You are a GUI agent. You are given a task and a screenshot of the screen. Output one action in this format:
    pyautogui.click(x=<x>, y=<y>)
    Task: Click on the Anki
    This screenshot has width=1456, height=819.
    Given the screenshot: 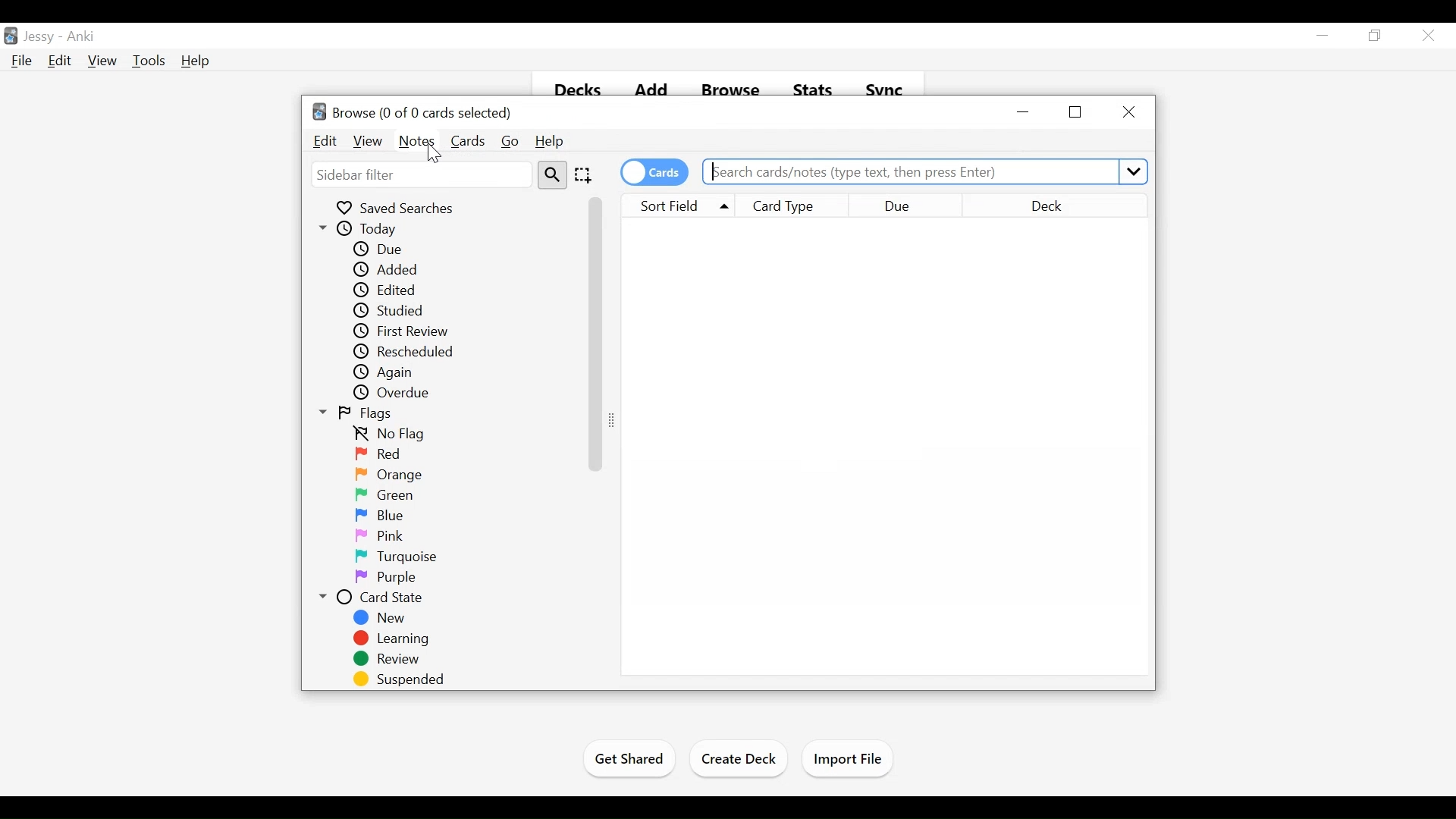 What is the action you would take?
    pyautogui.click(x=81, y=38)
    